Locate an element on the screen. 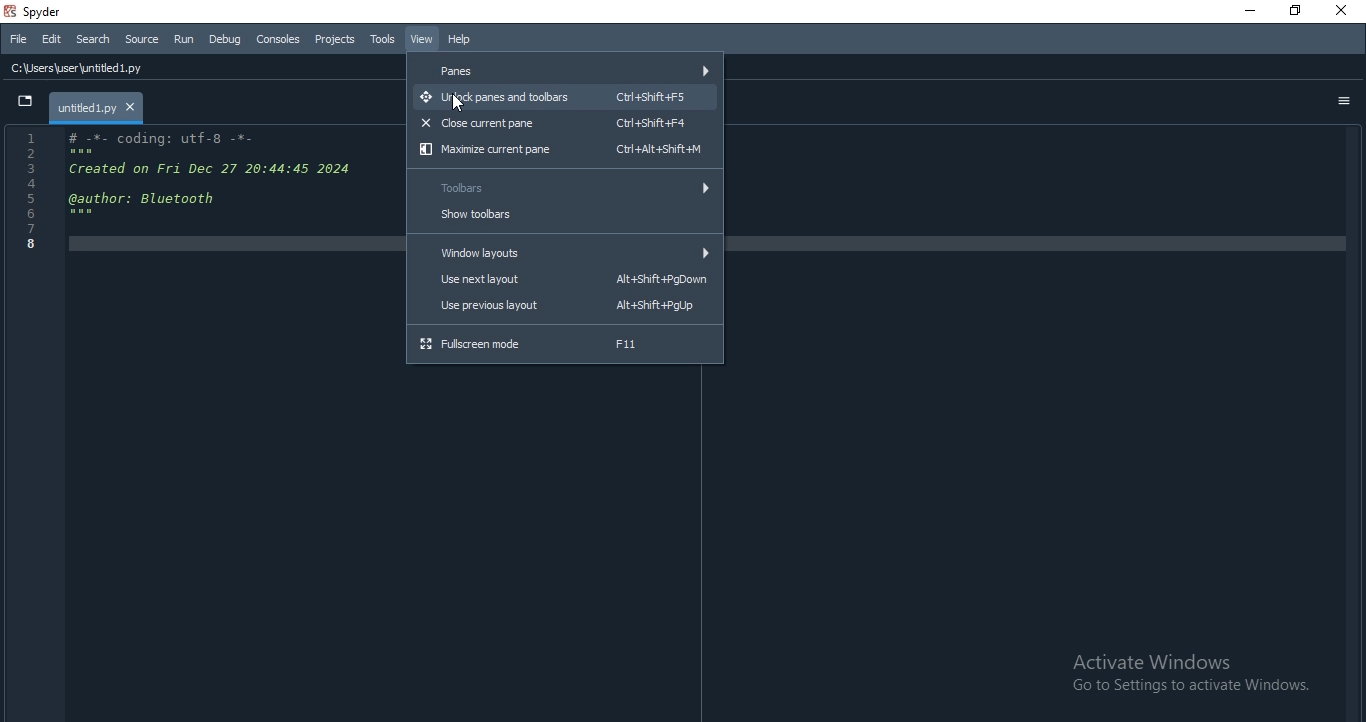 This screenshot has height=722, width=1366. dropdown is located at coordinates (27, 104).